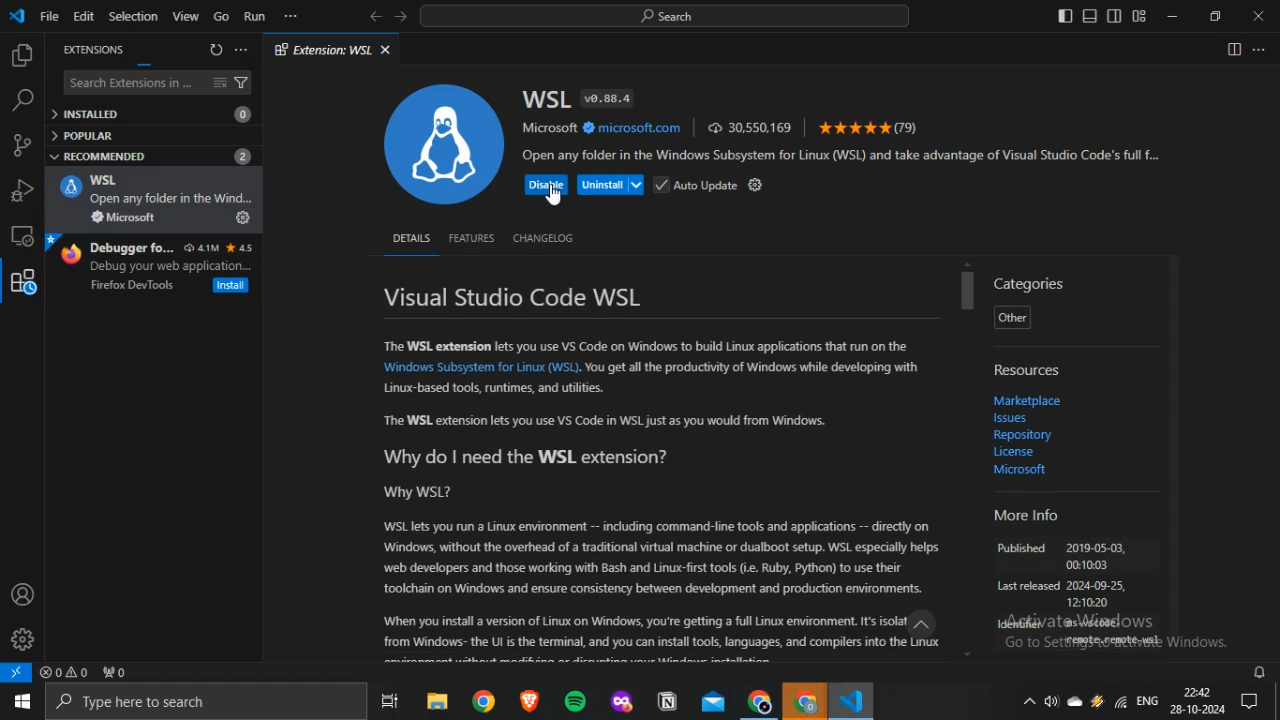 The height and width of the screenshot is (720, 1280). What do you see at coordinates (622, 700) in the screenshot?
I see `mozilla firefox` at bounding box center [622, 700].